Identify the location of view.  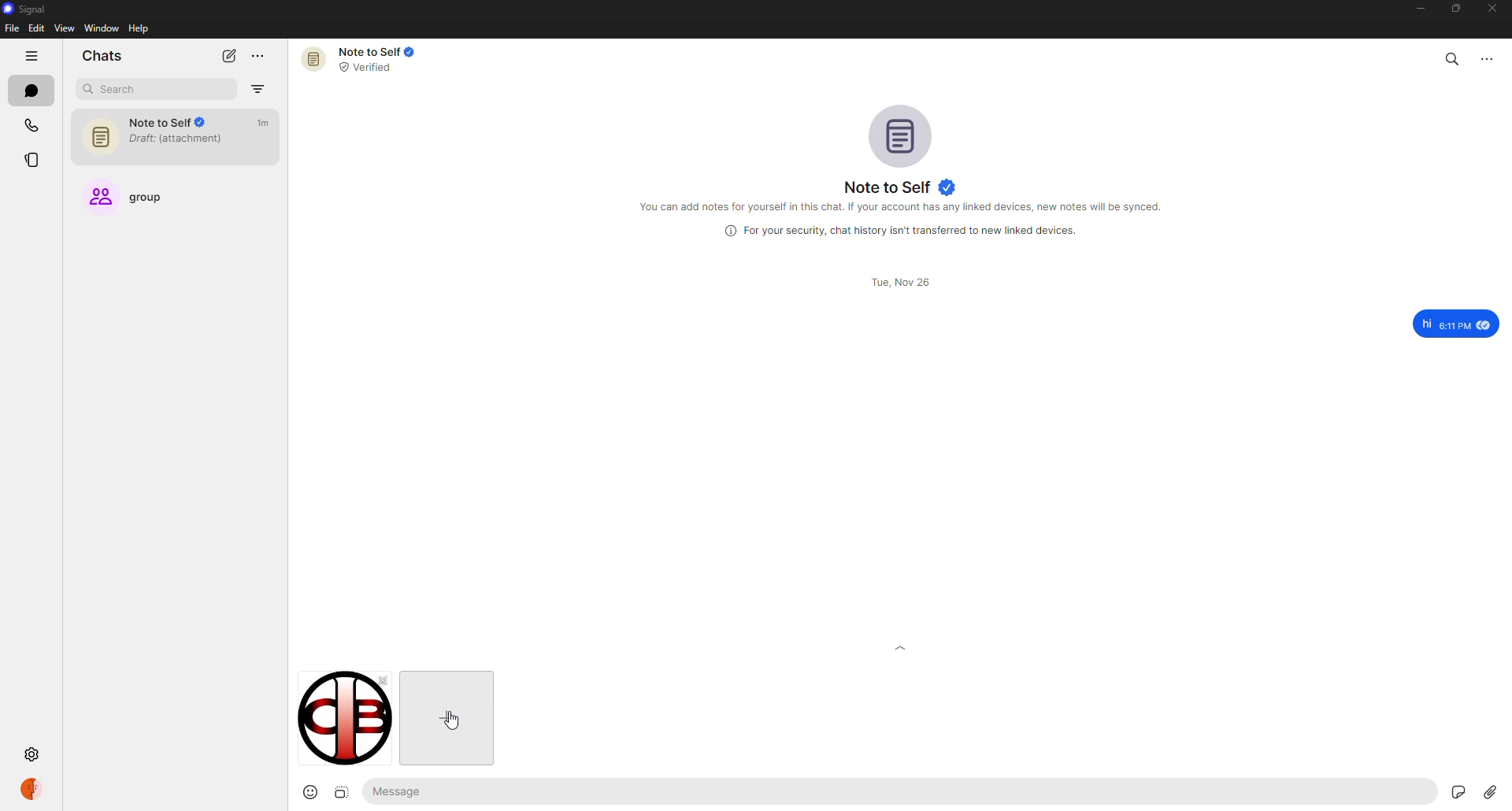
(65, 29).